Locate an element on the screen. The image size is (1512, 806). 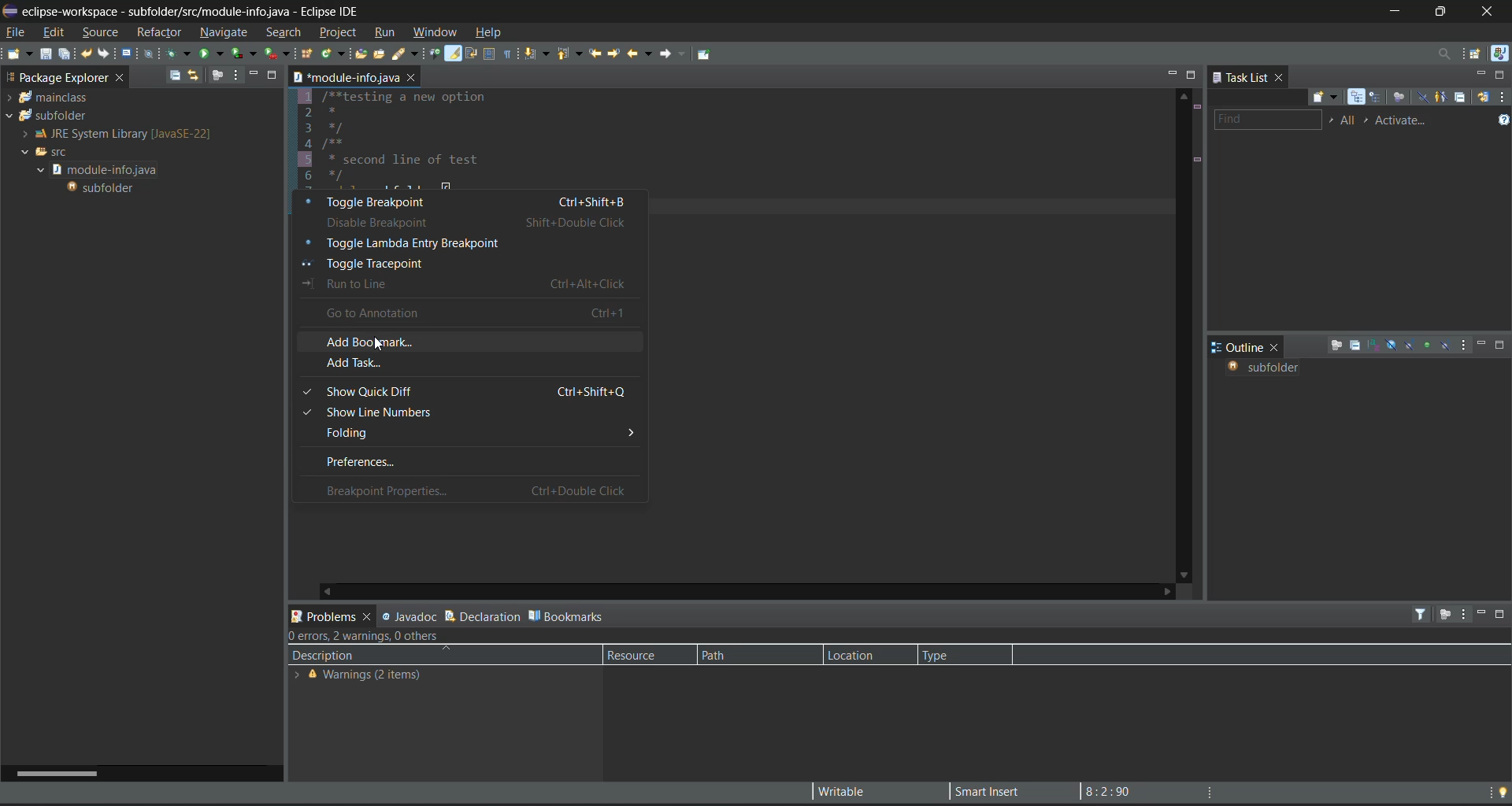
Project Explorer is located at coordinates (56, 76).